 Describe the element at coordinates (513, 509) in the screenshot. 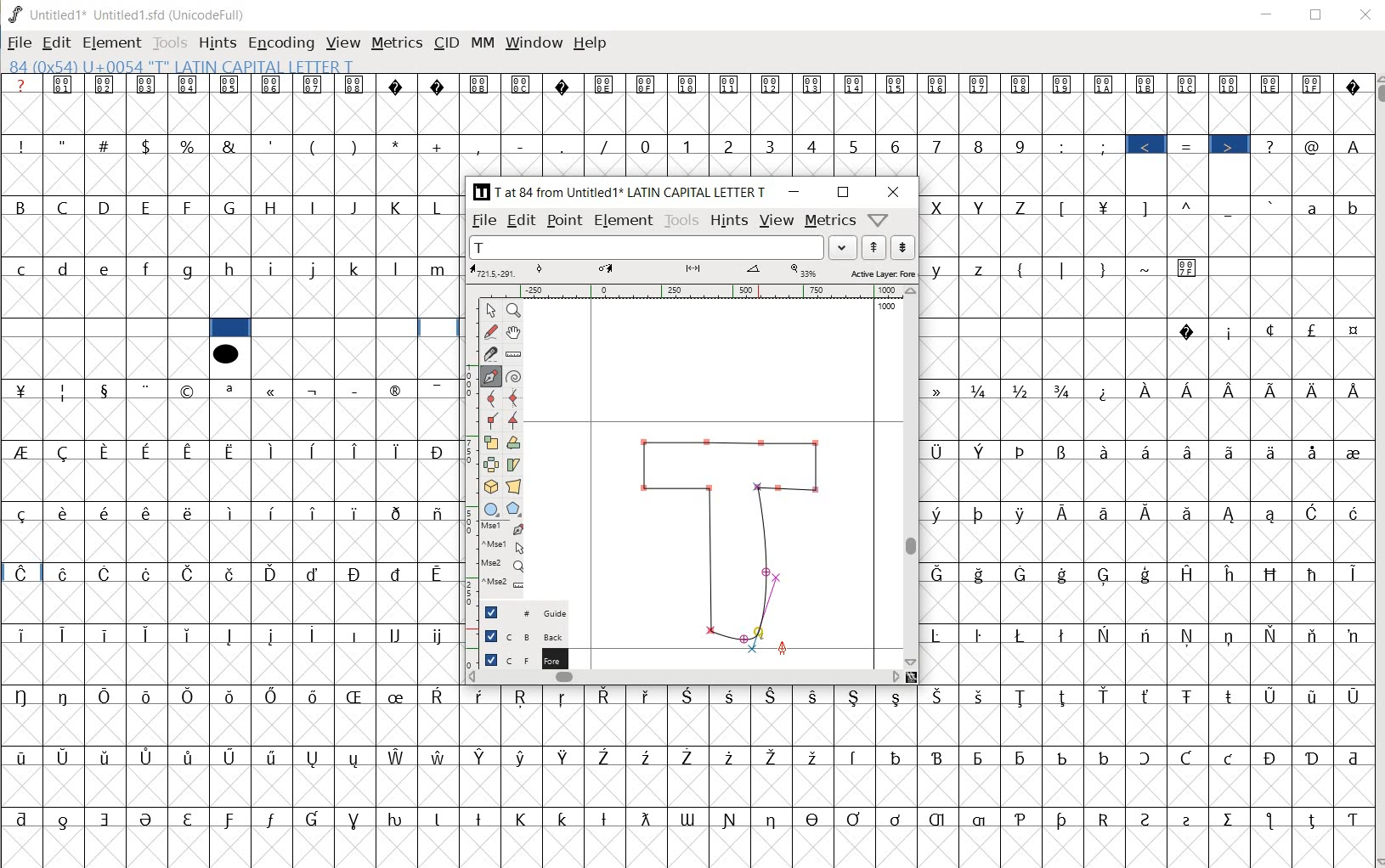

I see `polygon/star` at that location.